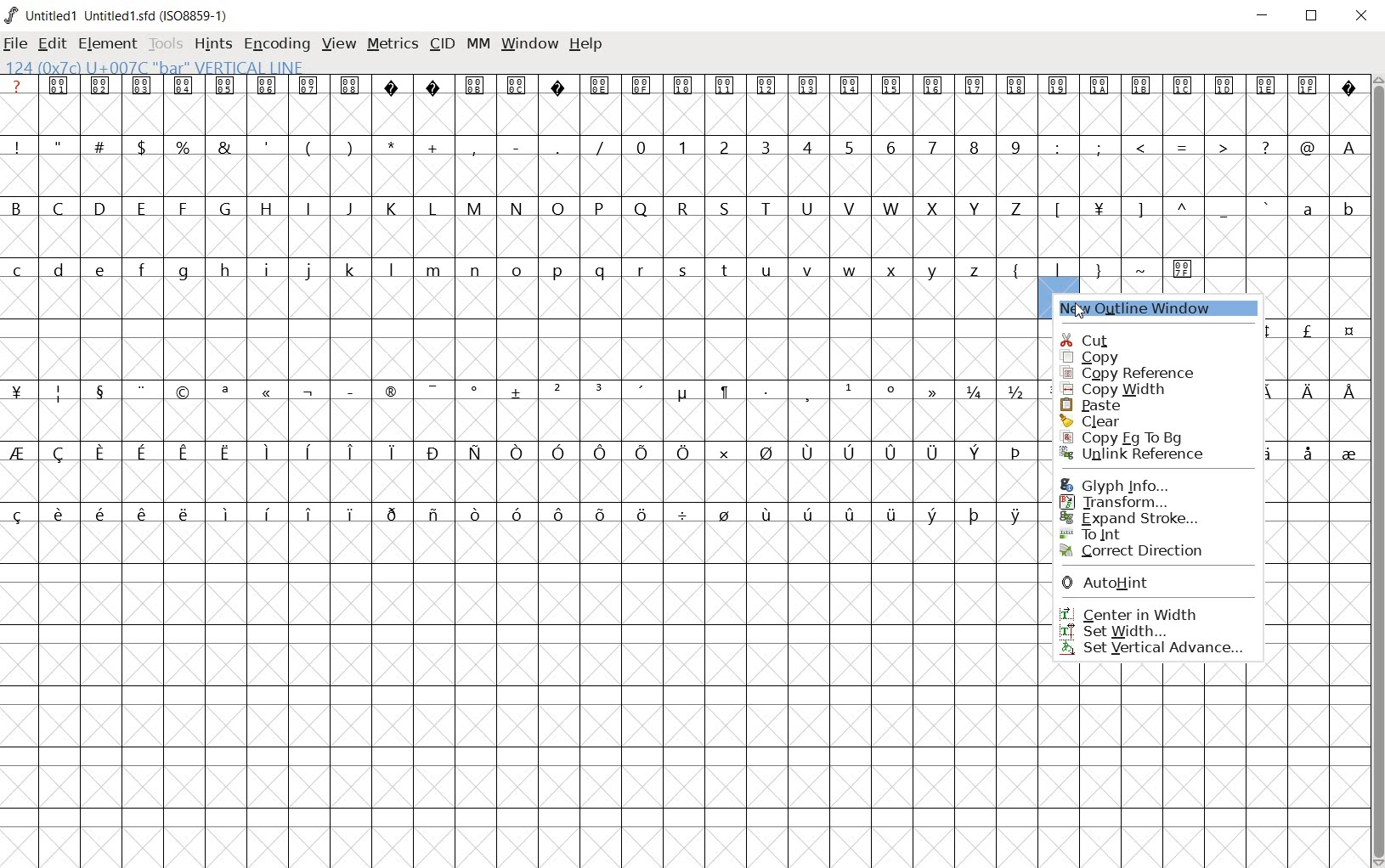 The width and height of the screenshot is (1385, 868). Describe the element at coordinates (531, 42) in the screenshot. I see `window` at that location.